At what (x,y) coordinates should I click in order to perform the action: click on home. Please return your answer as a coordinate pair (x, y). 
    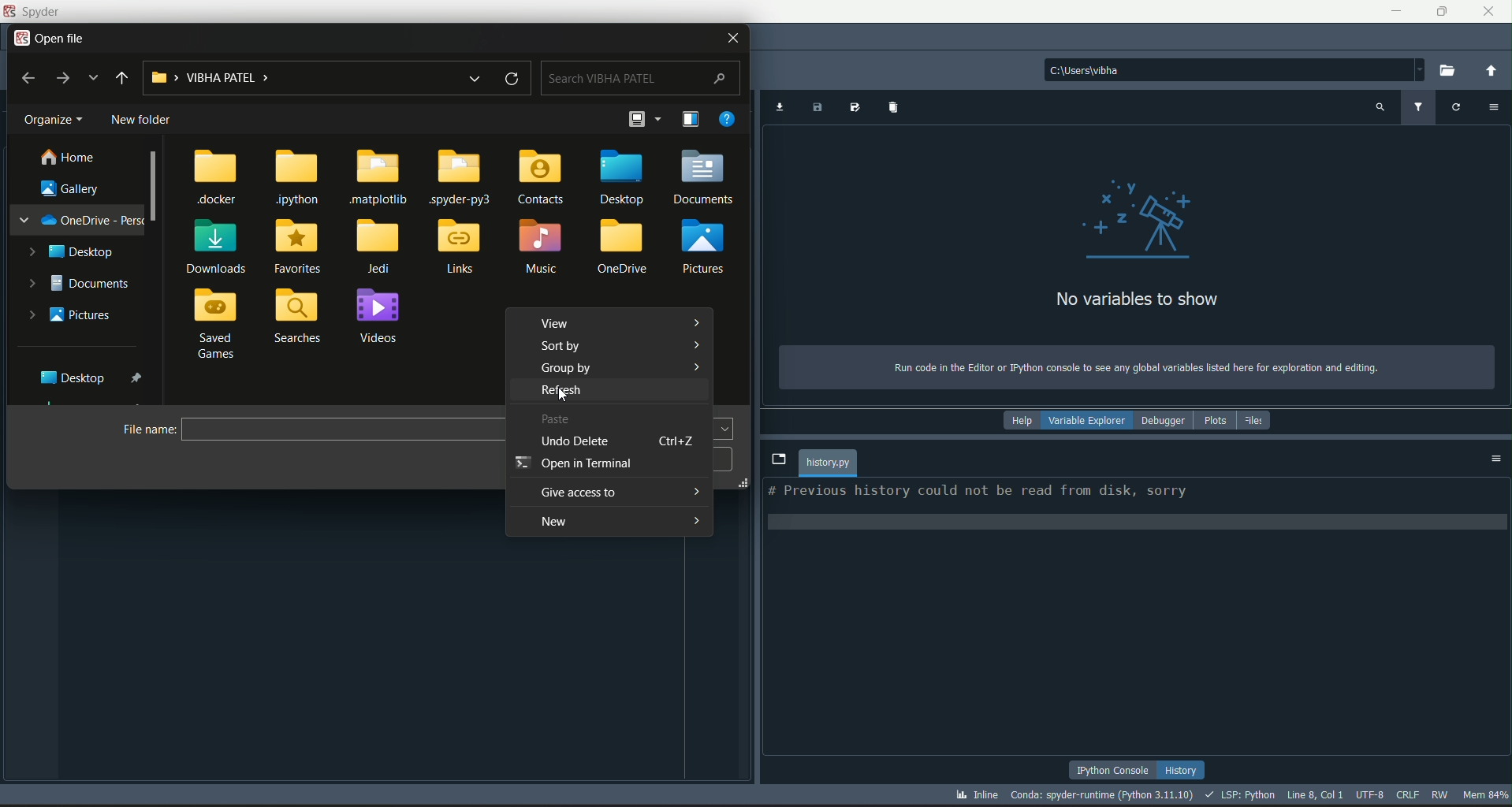
    Looking at the image, I should click on (68, 158).